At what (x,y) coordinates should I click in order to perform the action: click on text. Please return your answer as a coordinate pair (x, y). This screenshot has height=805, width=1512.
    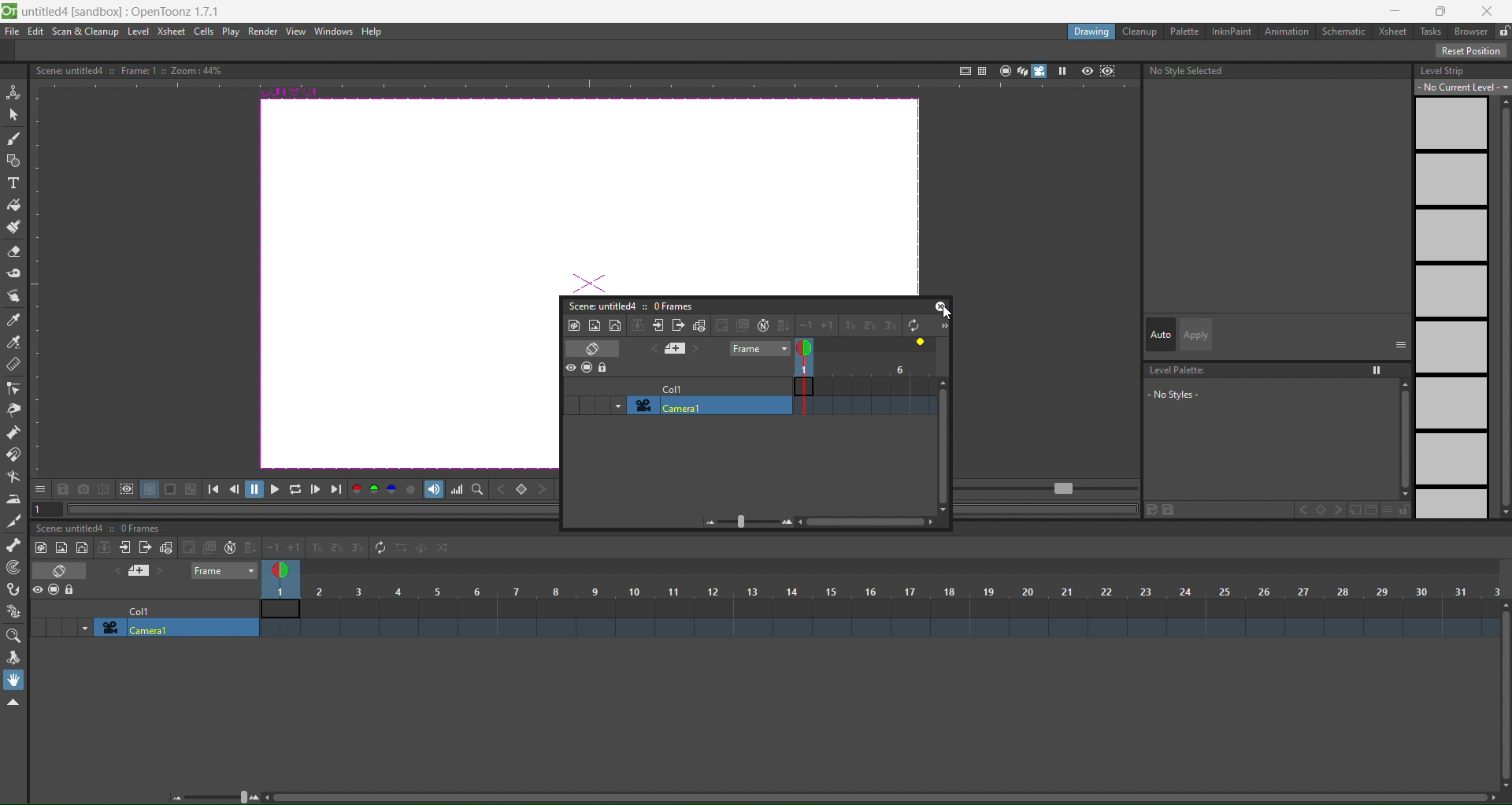
    Looking at the image, I should click on (128, 69).